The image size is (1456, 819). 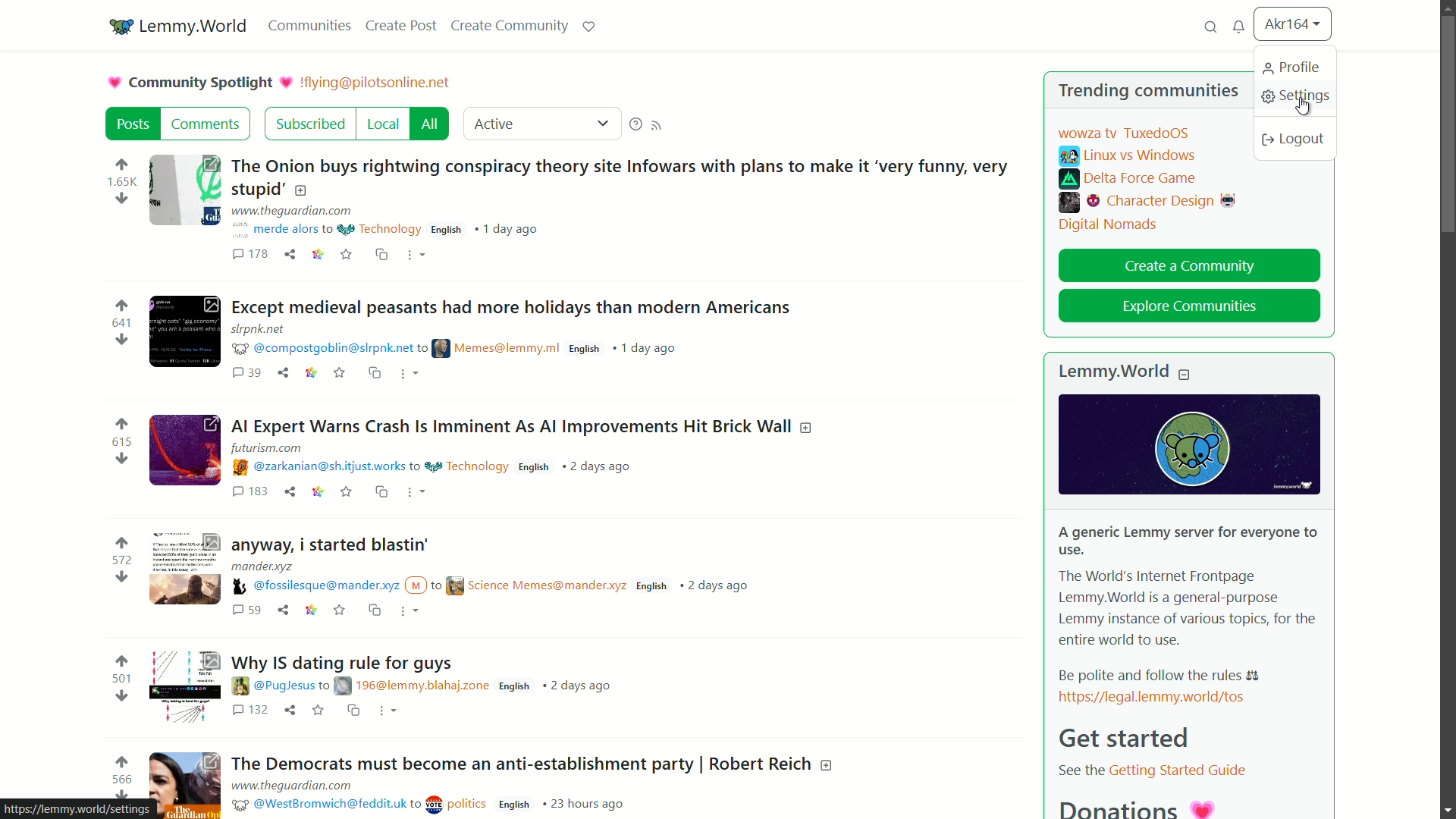 I want to click on server name, so click(x=195, y=27).